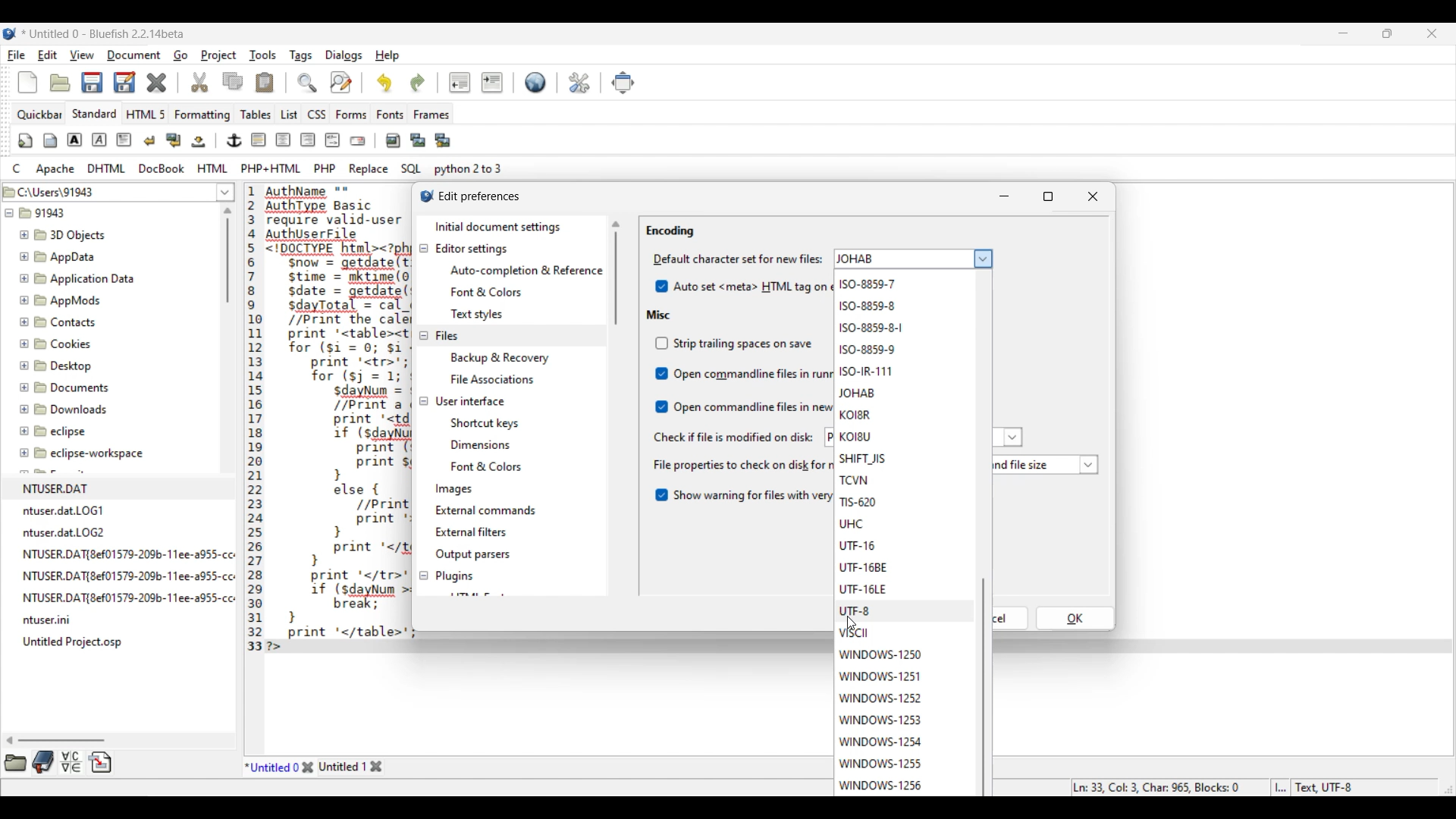 This screenshot has height=819, width=1456. What do you see at coordinates (227, 256) in the screenshot?
I see `Vertical slide bar` at bounding box center [227, 256].